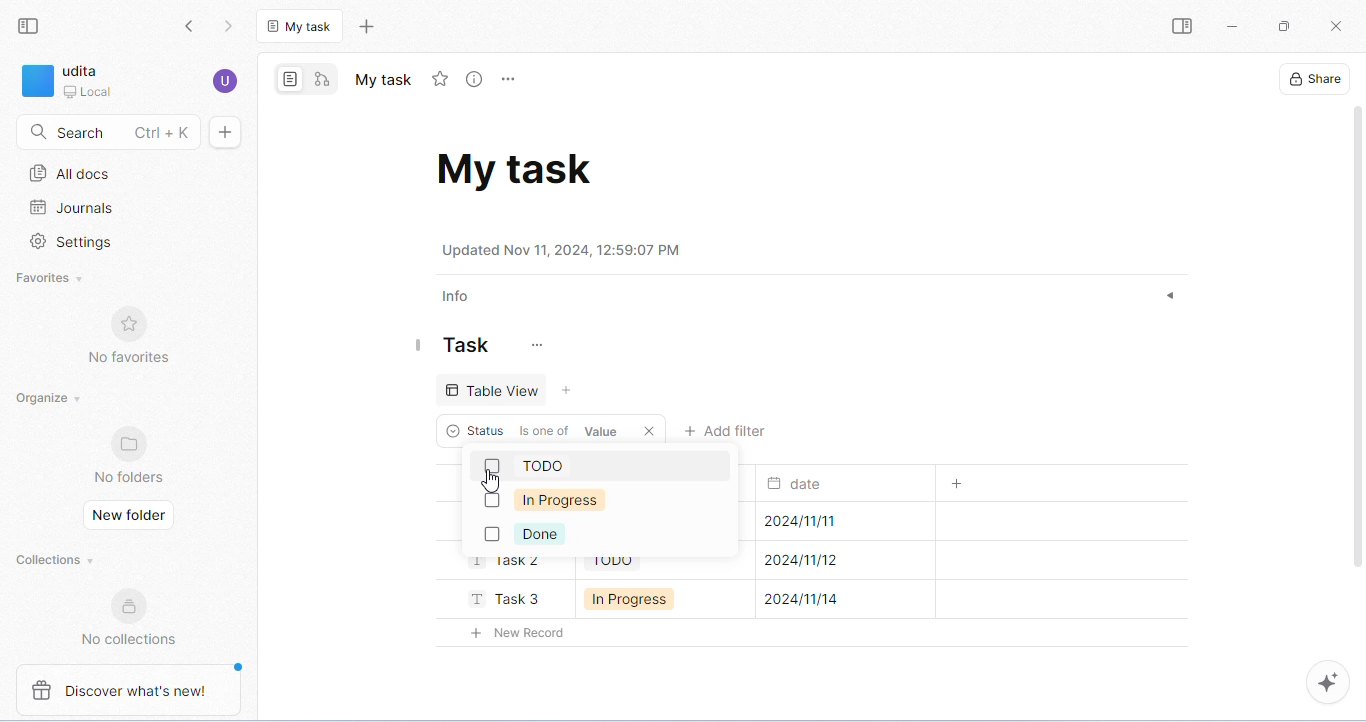 The height and width of the screenshot is (722, 1366). What do you see at coordinates (225, 81) in the screenshot?
I see `account` at bounding box center [225, 81].